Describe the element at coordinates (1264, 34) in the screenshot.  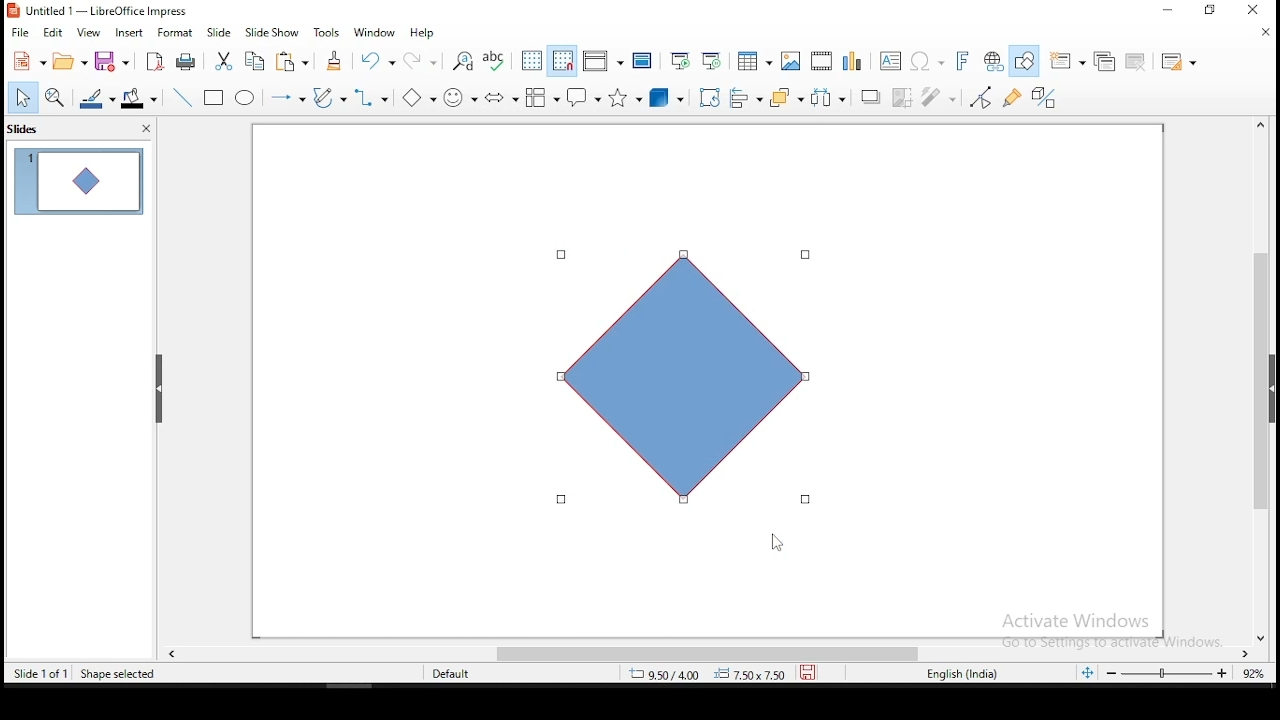
I see `close` at that location.